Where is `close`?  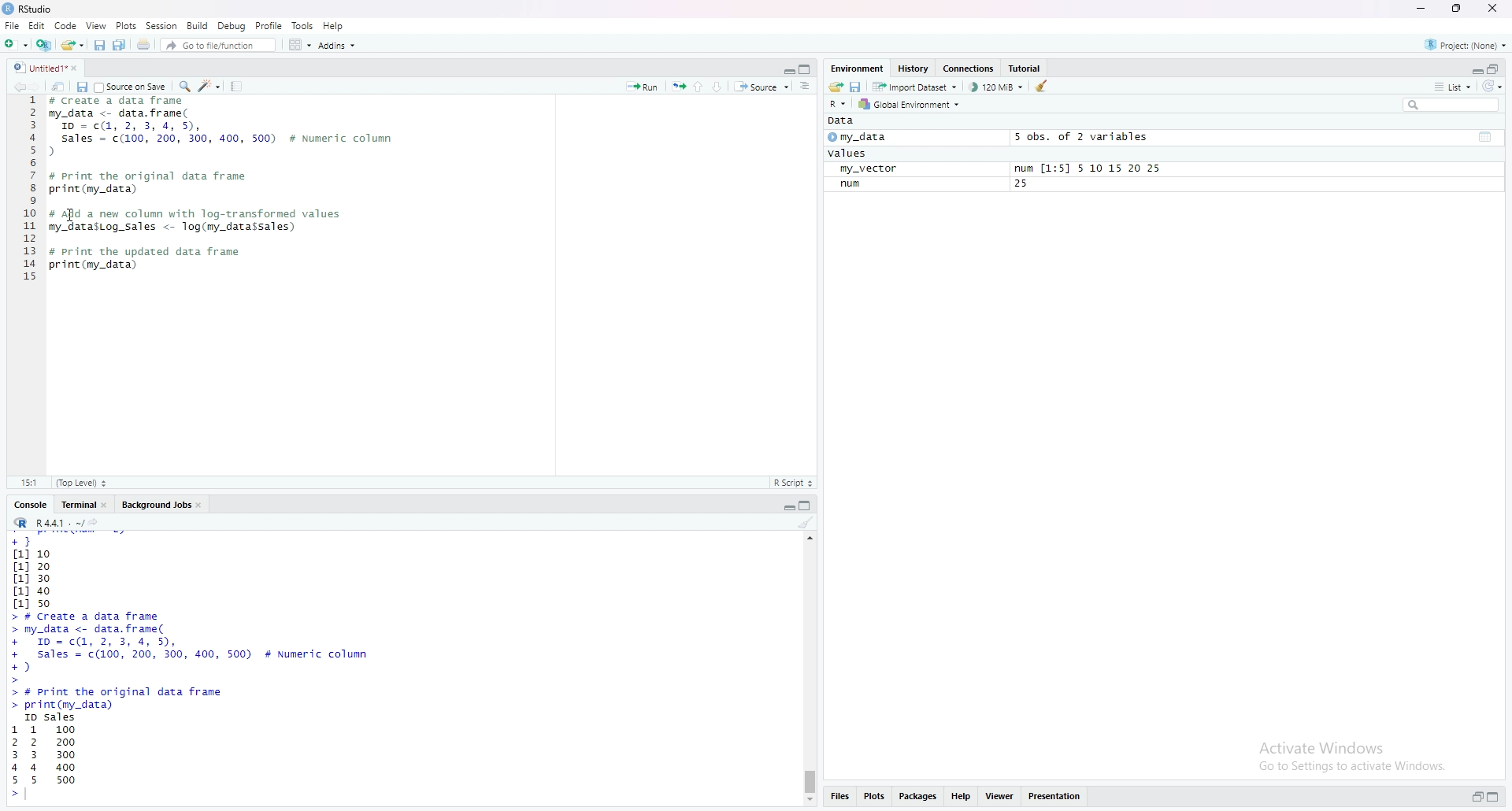 close is located at coordinates (206, 507).